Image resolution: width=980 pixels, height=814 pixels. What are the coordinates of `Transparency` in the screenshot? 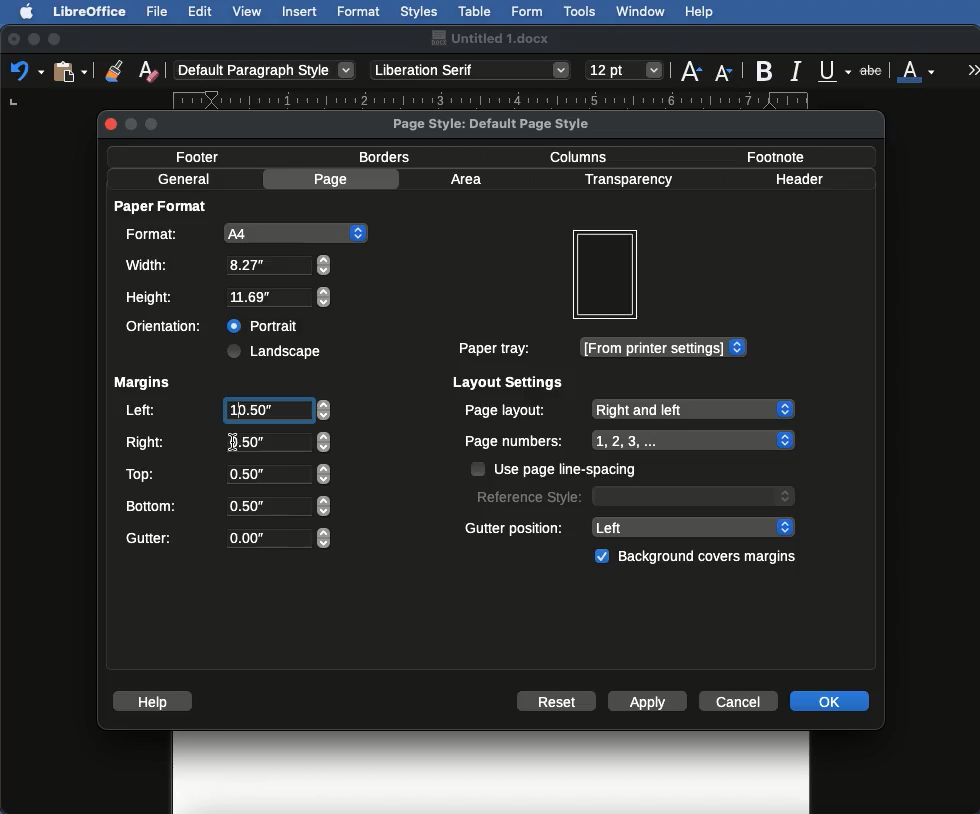 It's located at (627, 180).